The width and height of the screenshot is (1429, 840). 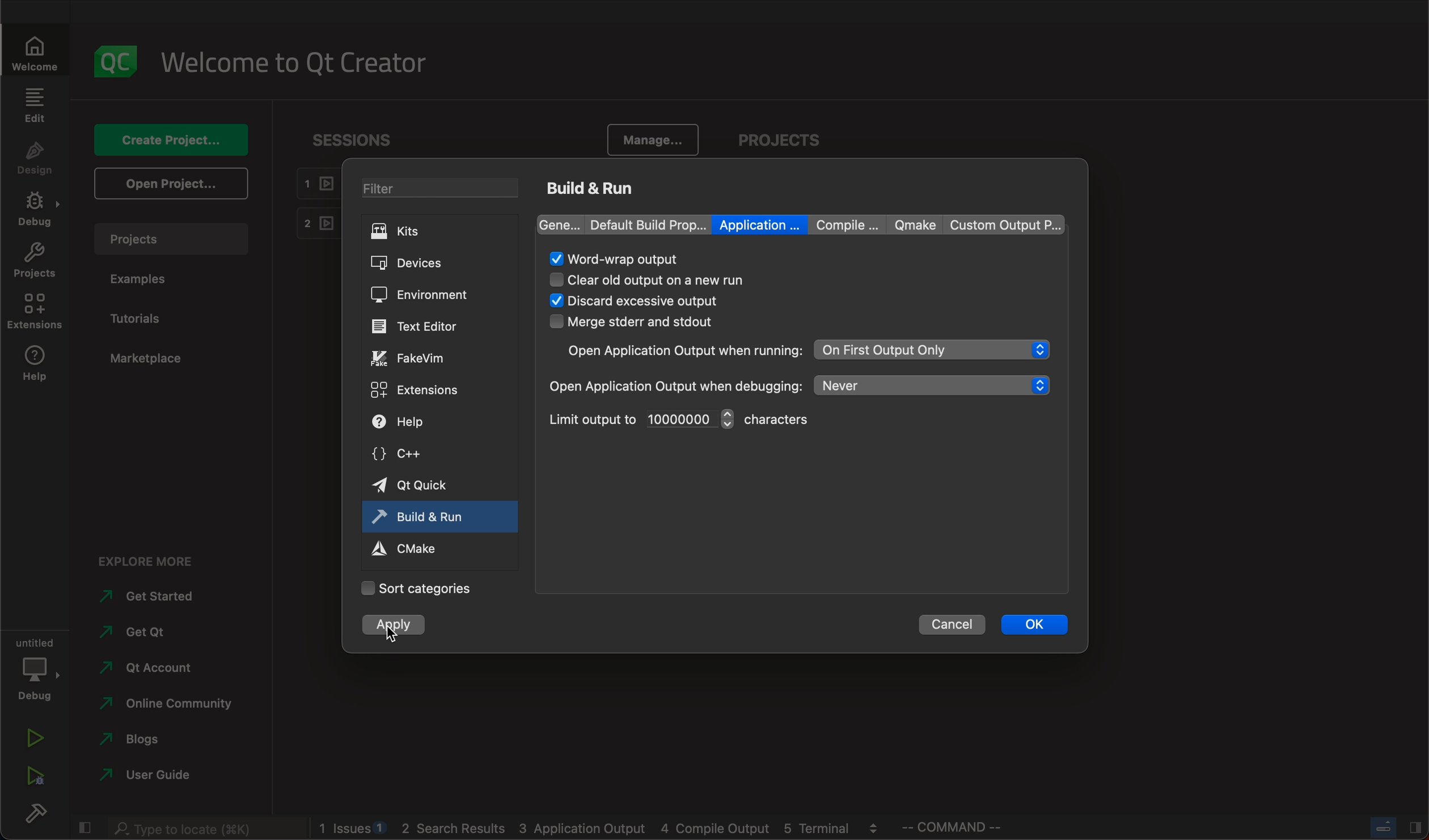 I want to click on sessions, so click(x=360, y=138).